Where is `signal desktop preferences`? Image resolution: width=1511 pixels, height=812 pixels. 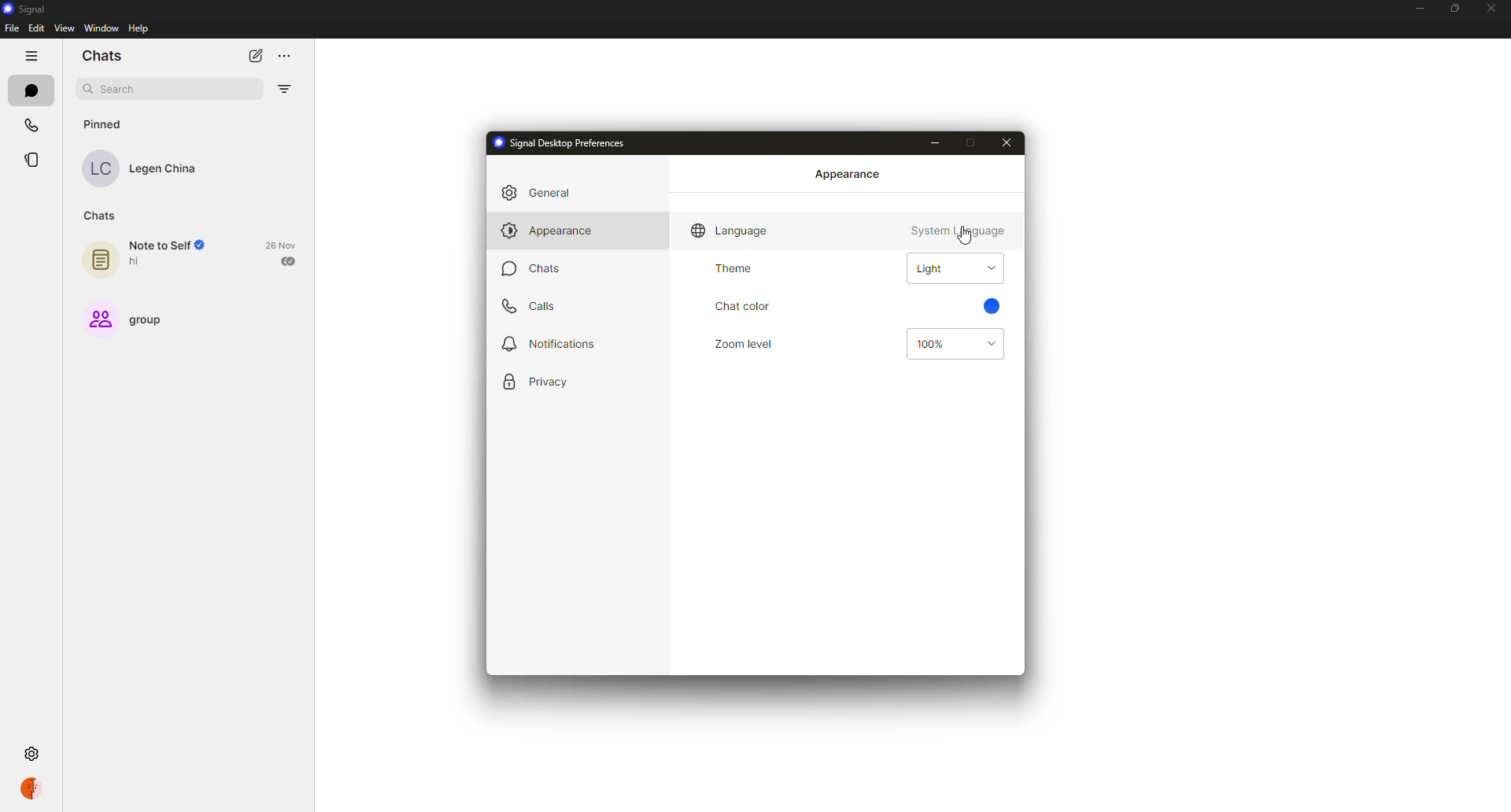 signal desktop preferences is located at coordinates (560, 143).